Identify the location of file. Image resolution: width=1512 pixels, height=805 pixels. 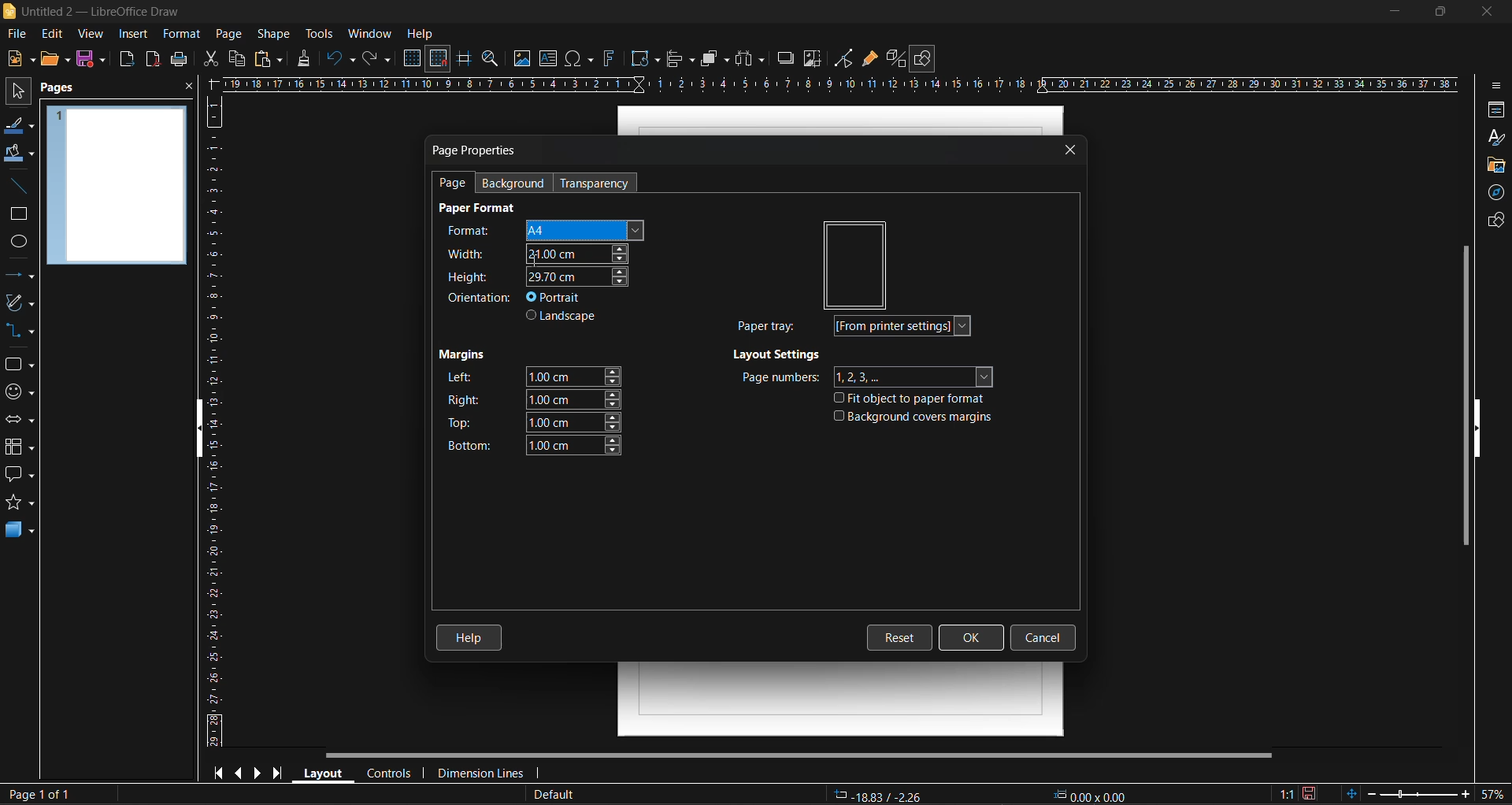
(19, 34).